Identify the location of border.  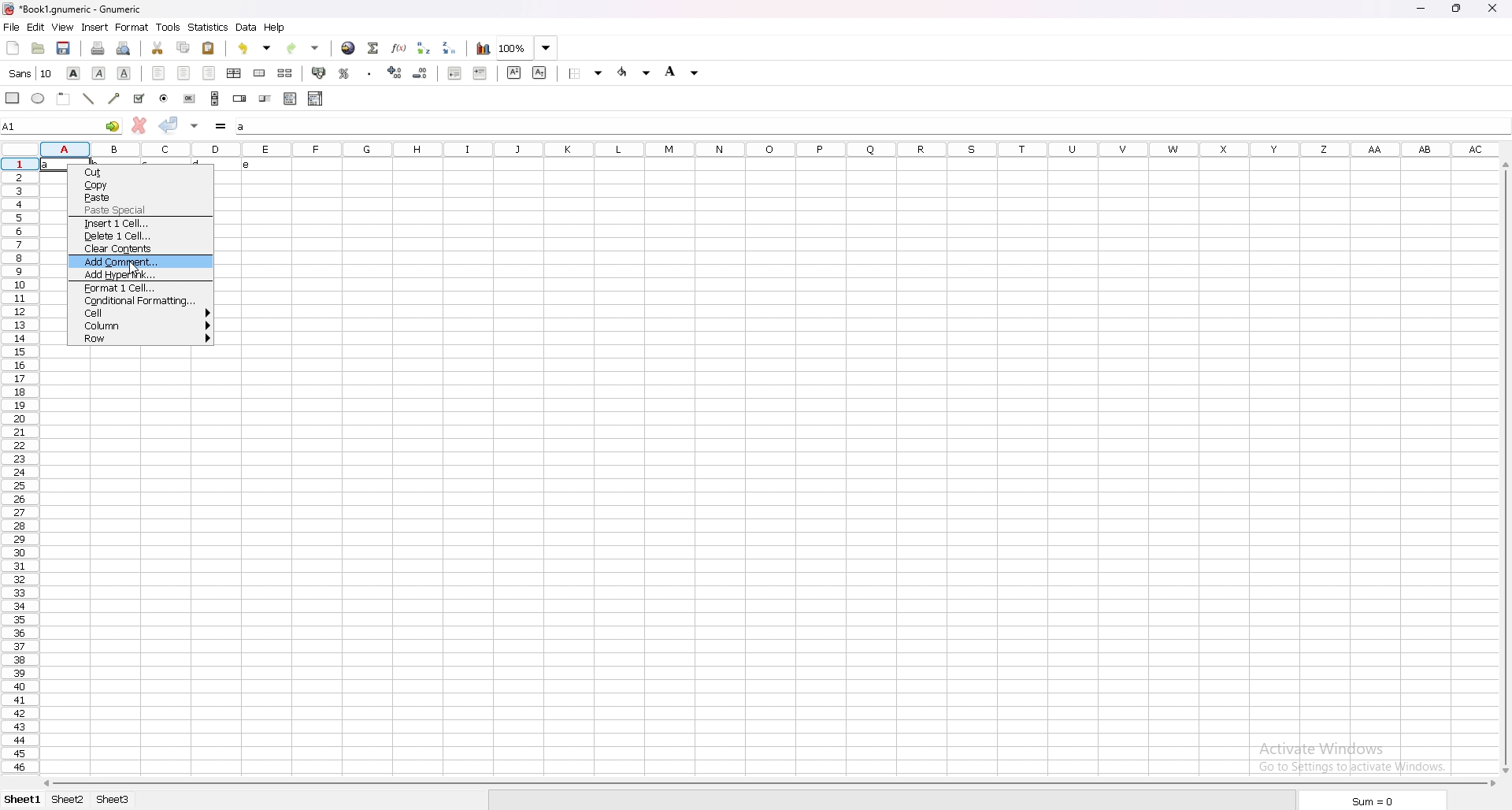
(586, 73).